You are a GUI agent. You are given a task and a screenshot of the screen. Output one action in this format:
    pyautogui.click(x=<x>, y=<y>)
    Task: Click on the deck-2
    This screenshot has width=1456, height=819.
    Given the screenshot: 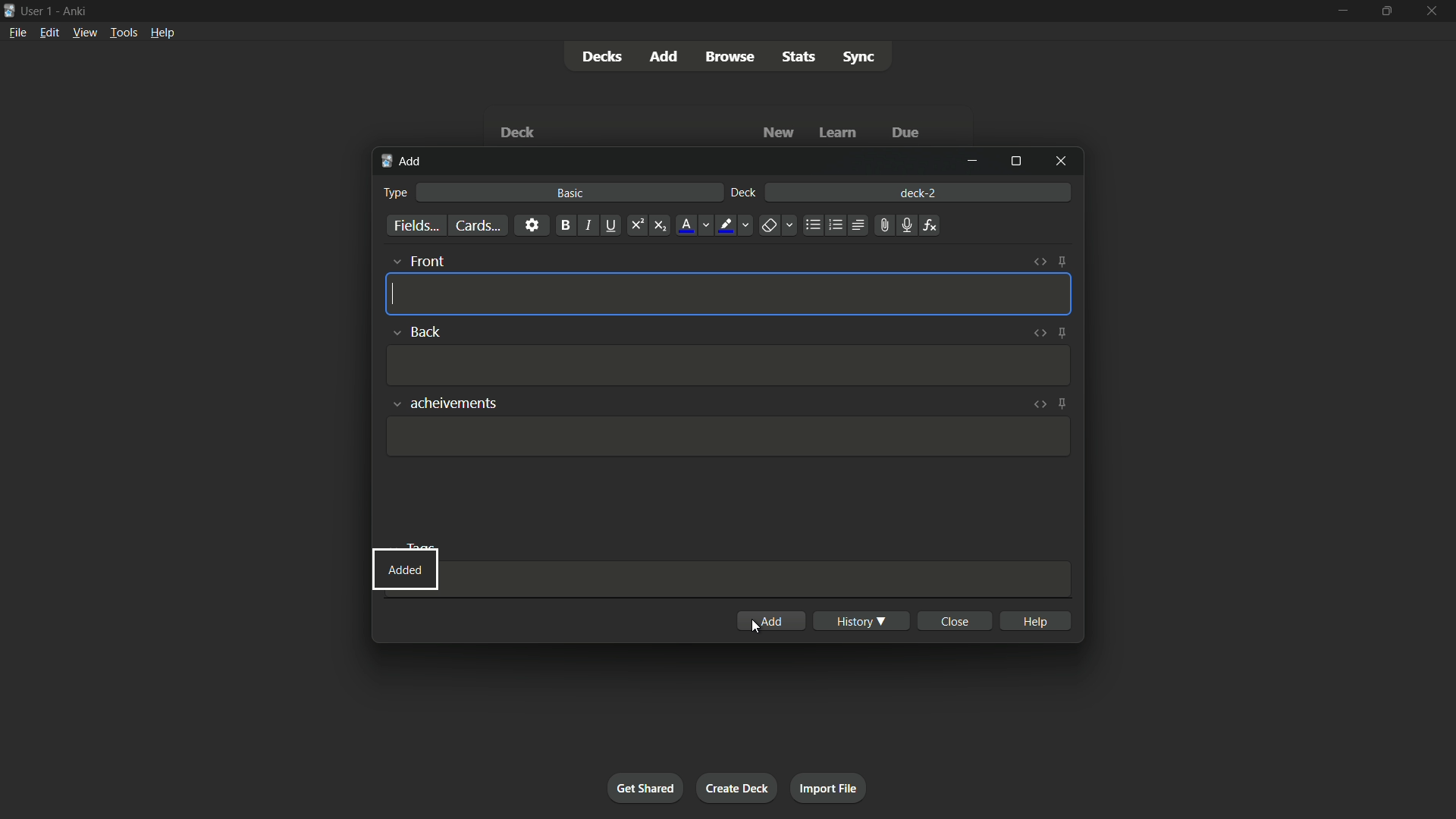 What is the action you would take?
    pyautogui.click(x=920, y=192)
    